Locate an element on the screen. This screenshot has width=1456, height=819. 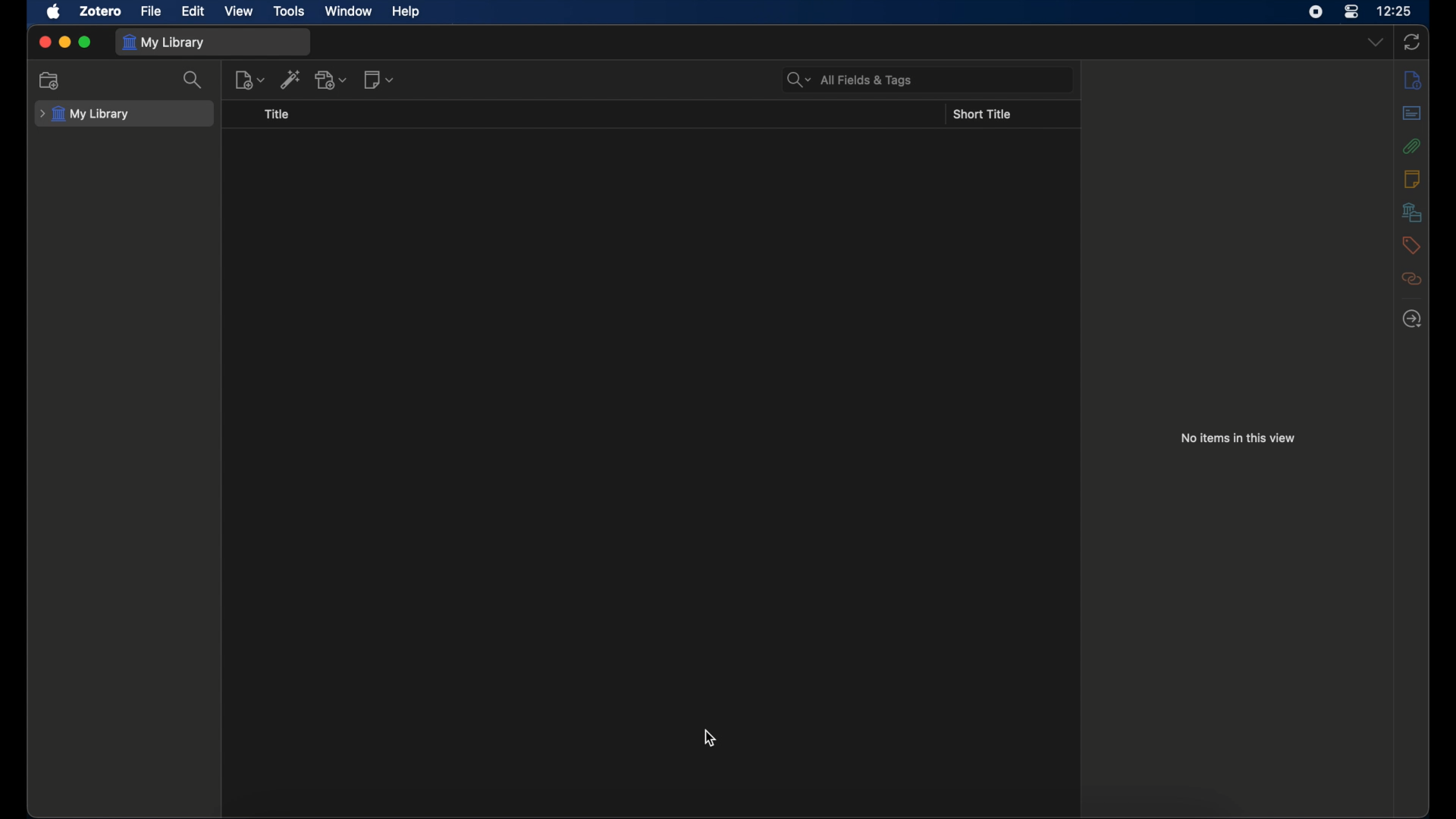
attachments is located at coordinates (1412, 146).